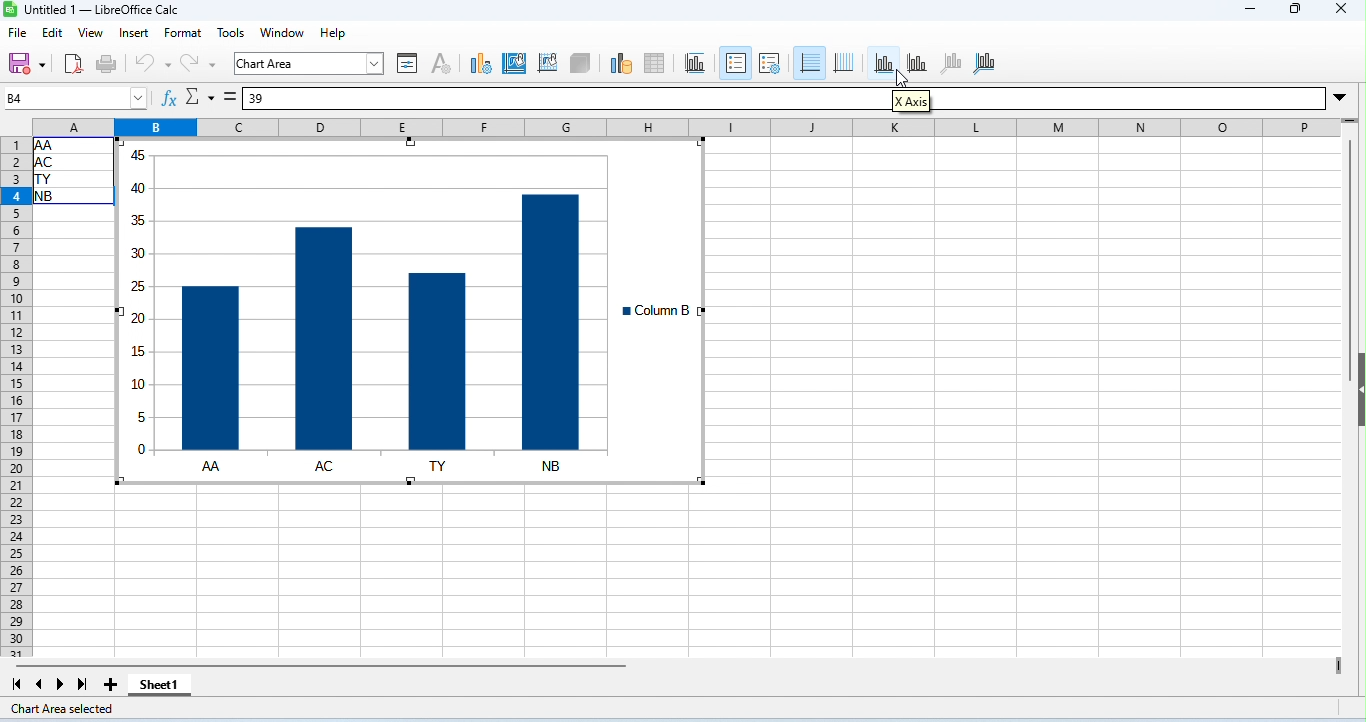 The image size is (1366, 722). What do you see at coordinates (17, 32) in the screenshot?
I see `file` at bounding box center [17, 32].